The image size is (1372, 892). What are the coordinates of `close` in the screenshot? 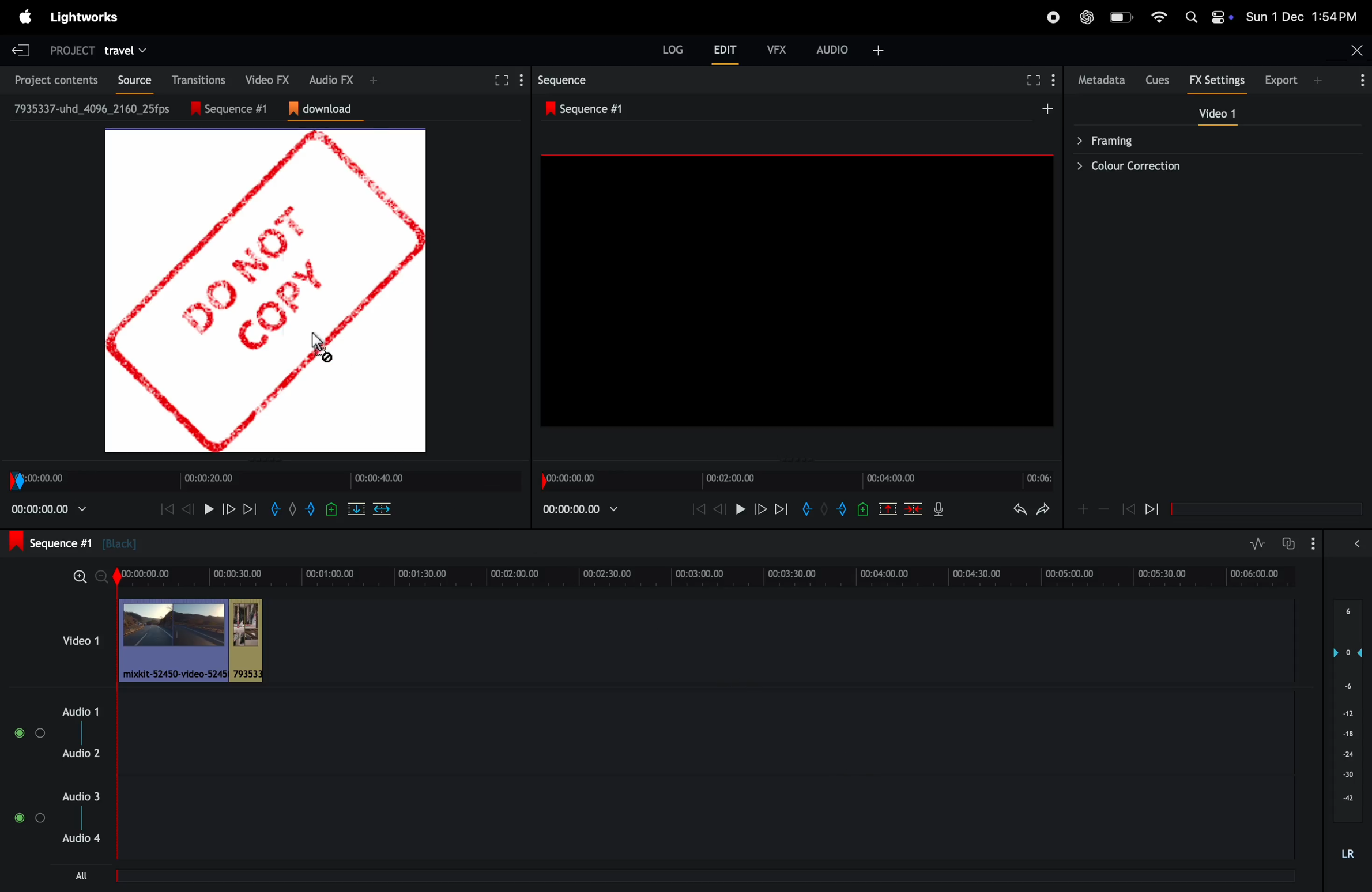 It's located at (1358, 50).